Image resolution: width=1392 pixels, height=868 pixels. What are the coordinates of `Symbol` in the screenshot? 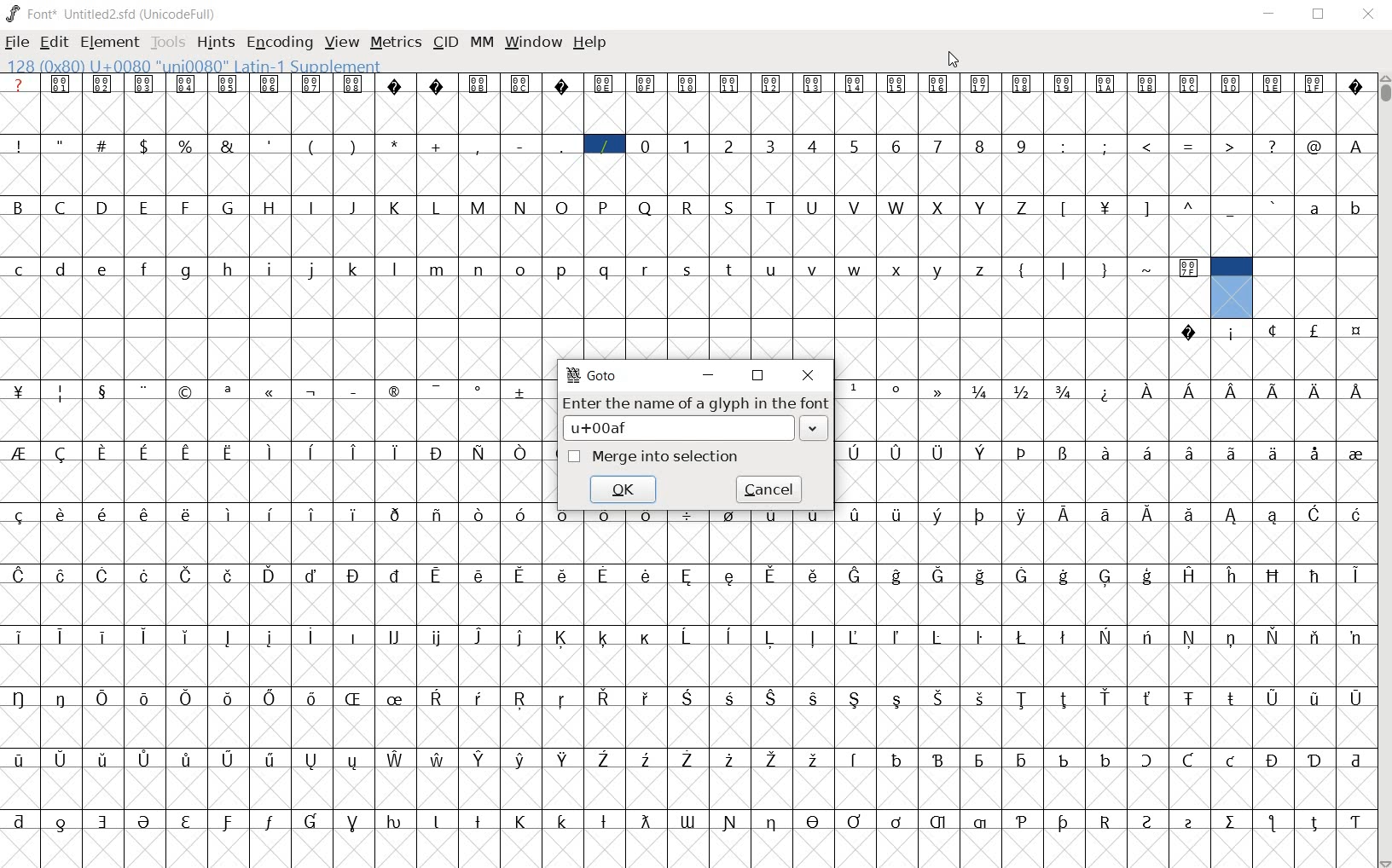 It's located at (439, 819).